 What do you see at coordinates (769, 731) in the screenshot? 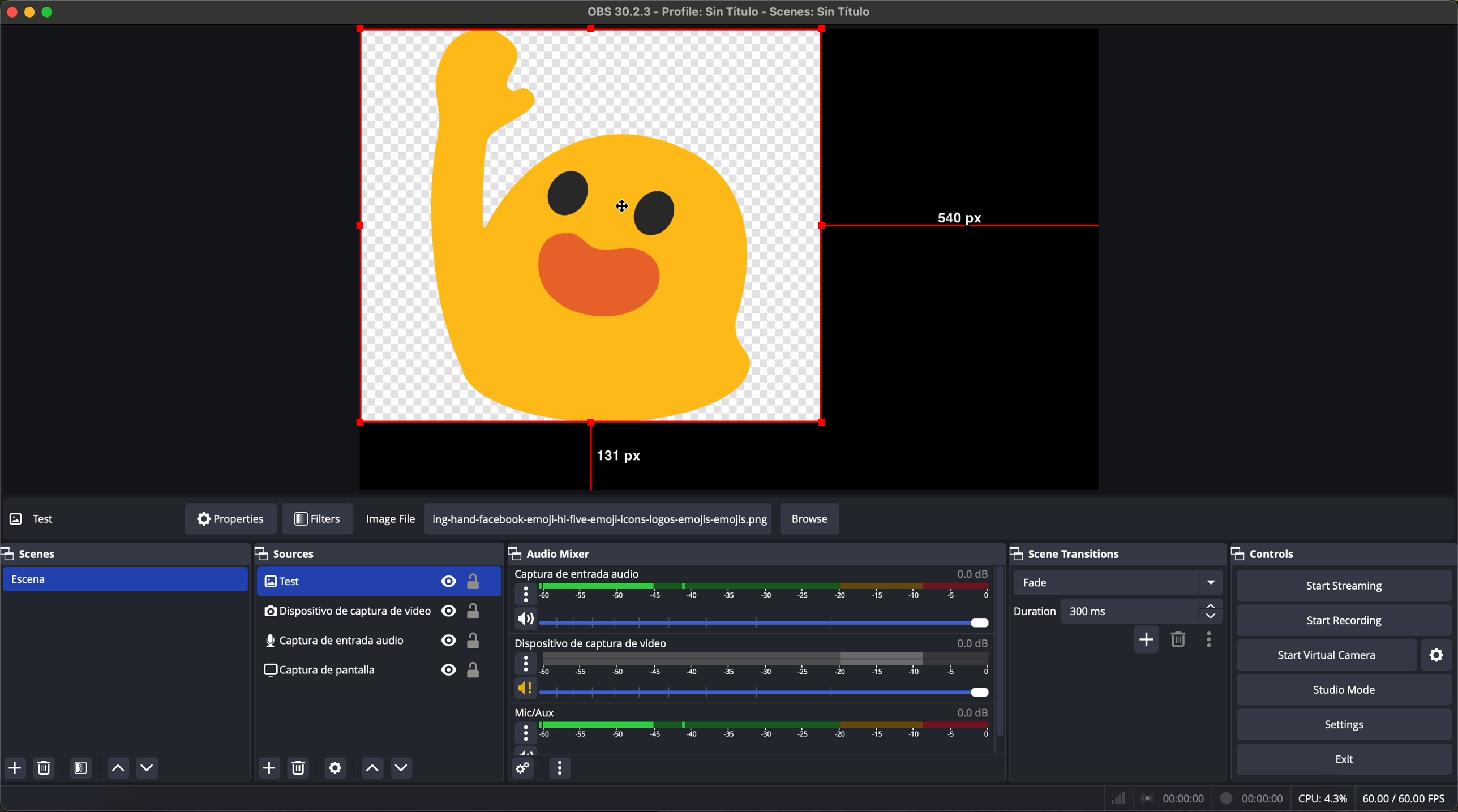
I see `timeline` at bounding box center [769, 731].